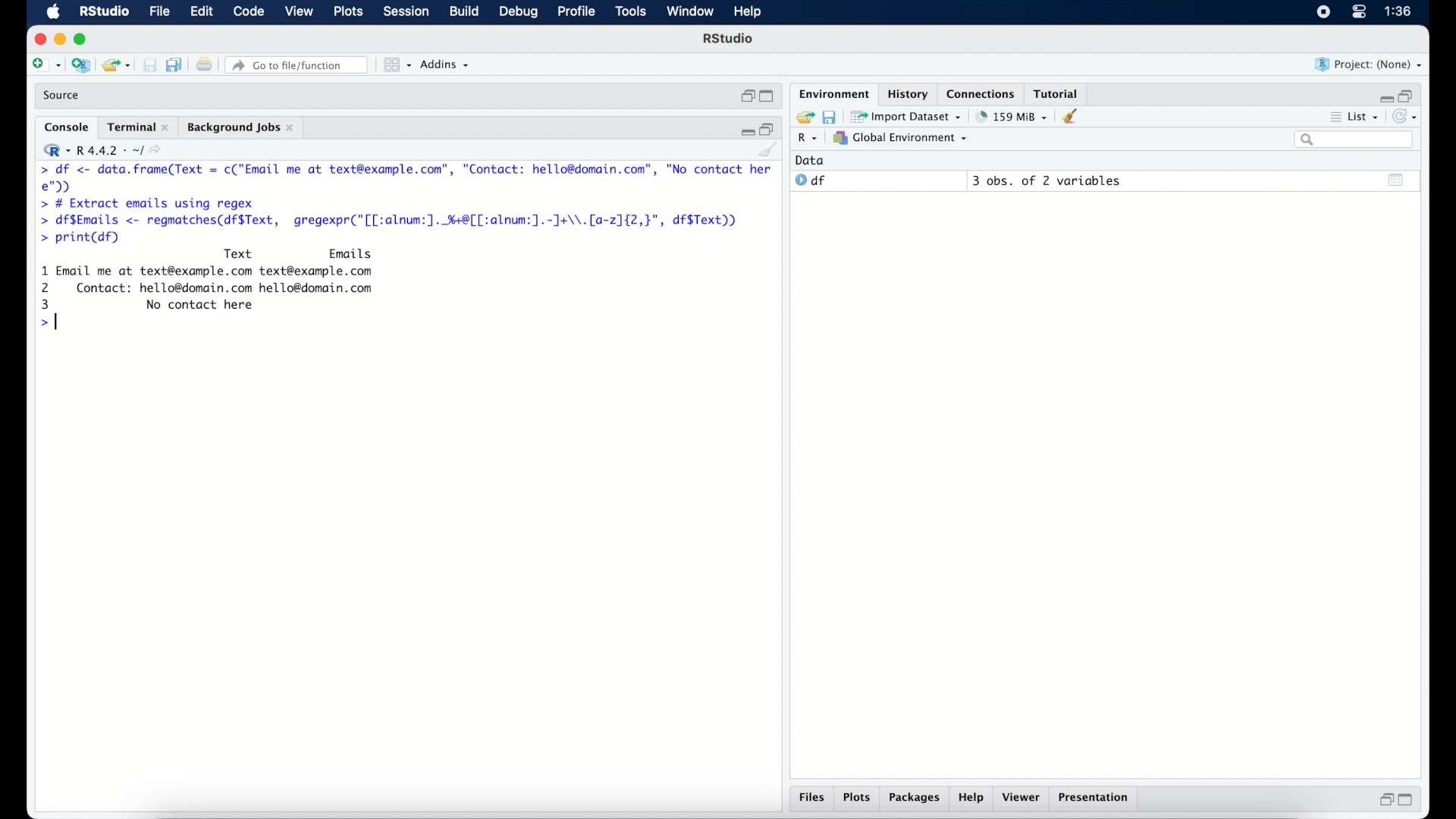 This screenshot has height=819, width=1456. What do you see at coordinates (811, 180) in the screenshot?
I see `df` at bounding box center [811, 180].